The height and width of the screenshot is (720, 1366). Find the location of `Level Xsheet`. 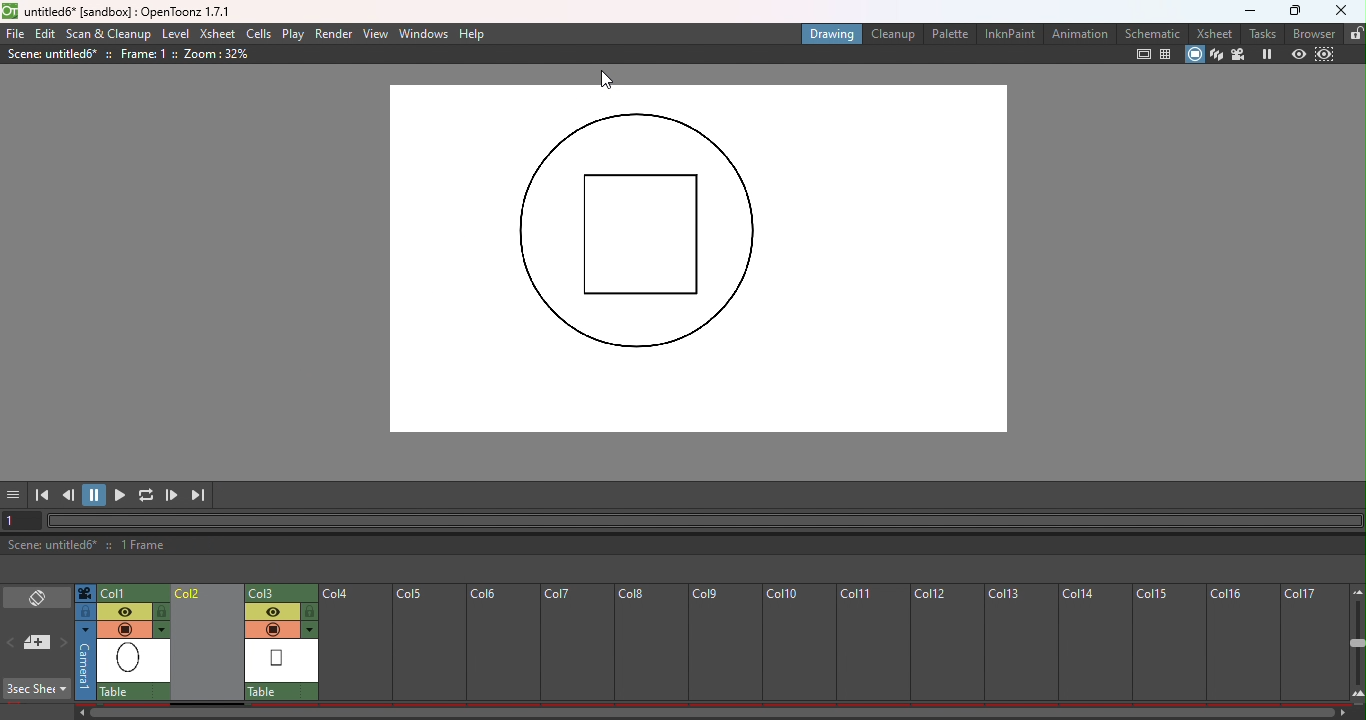

Level Xsheet is located at coordinates (199, 33).